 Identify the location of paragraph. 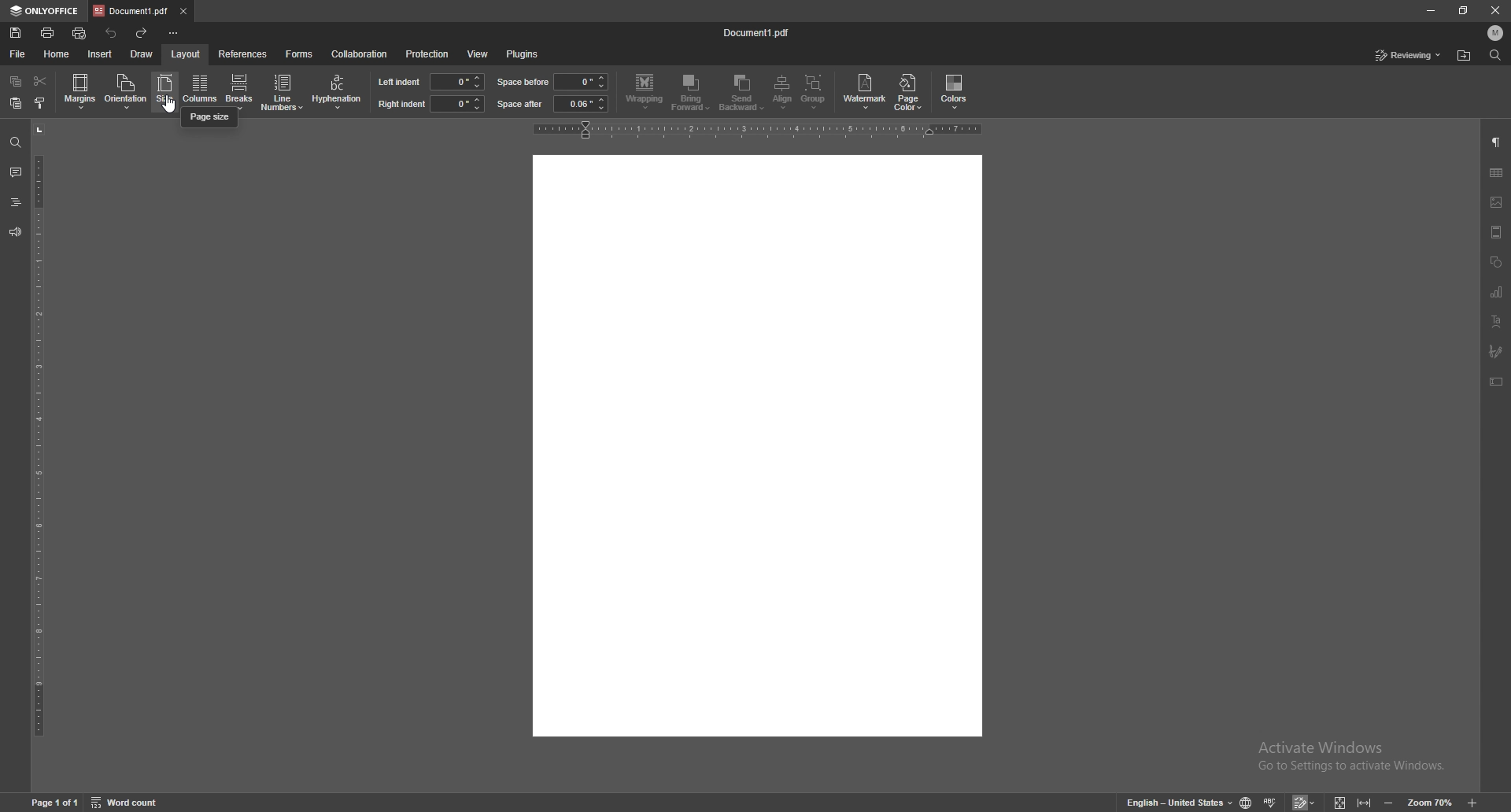
(1496, 143).